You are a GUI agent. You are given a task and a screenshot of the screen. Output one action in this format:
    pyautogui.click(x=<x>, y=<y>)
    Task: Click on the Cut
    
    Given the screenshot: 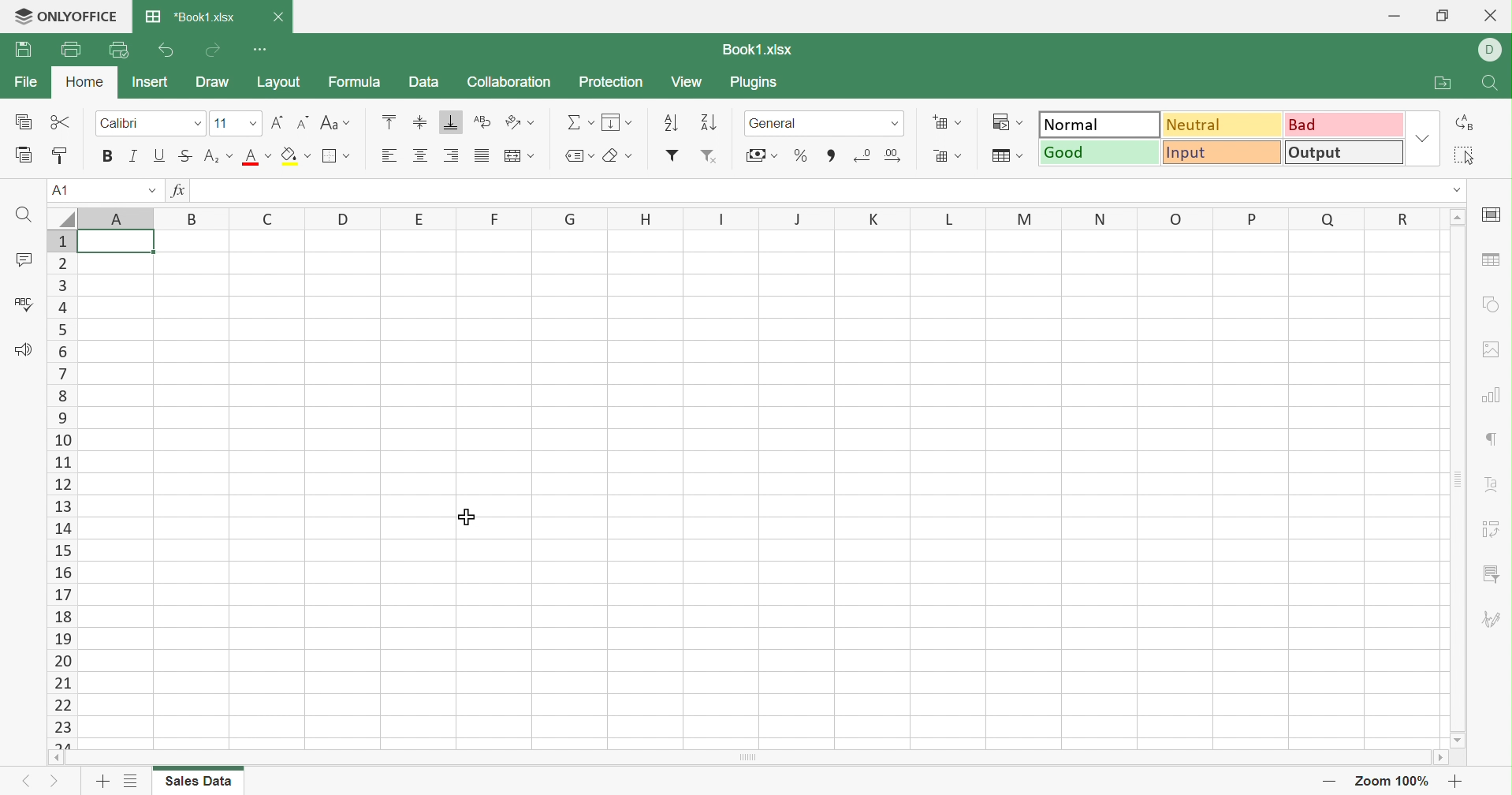 What is the action you would take?
    pyautogui.click(x=63, y=121)
    